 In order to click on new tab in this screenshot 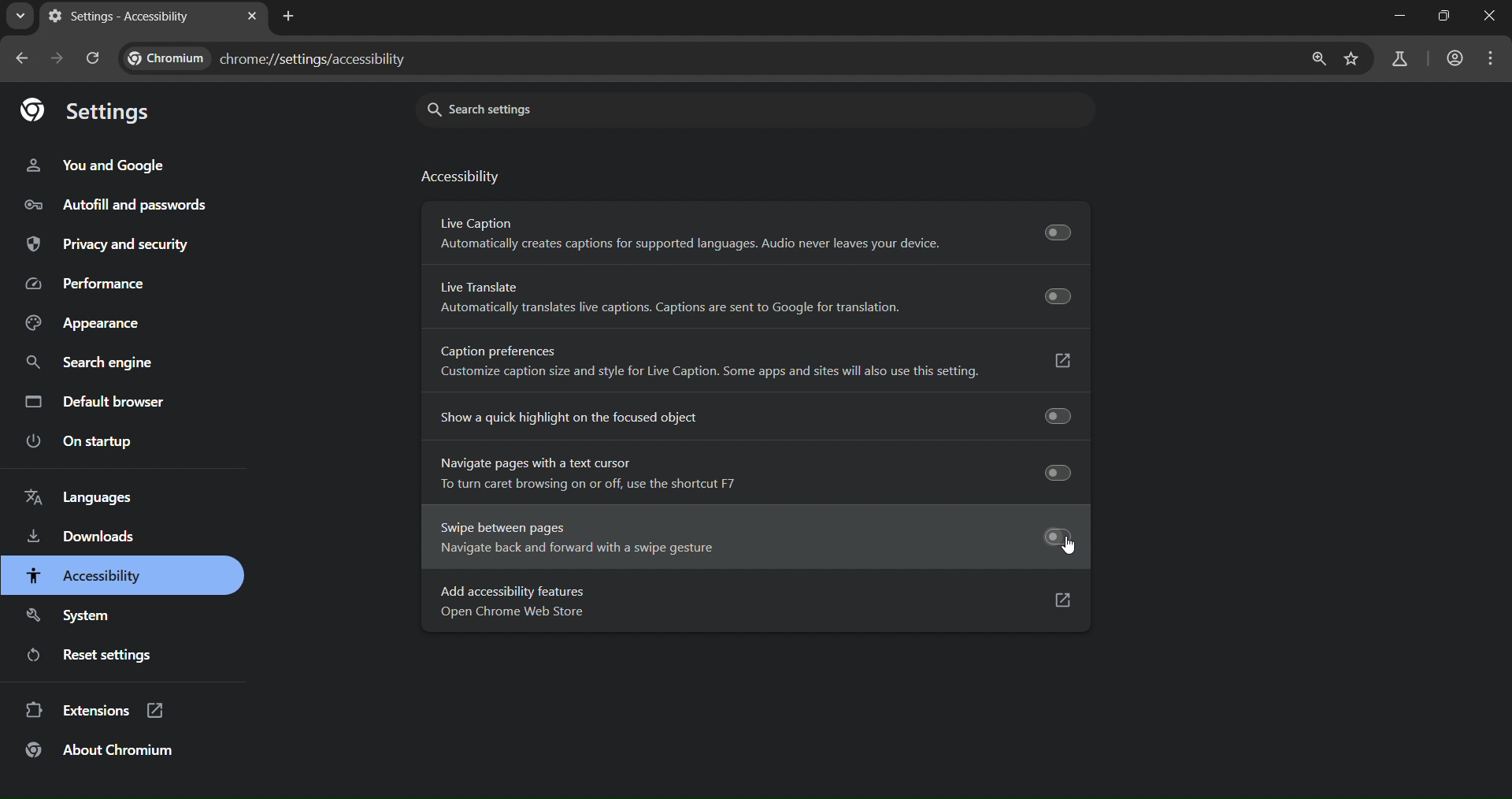, I will do `click(292, 17)`.